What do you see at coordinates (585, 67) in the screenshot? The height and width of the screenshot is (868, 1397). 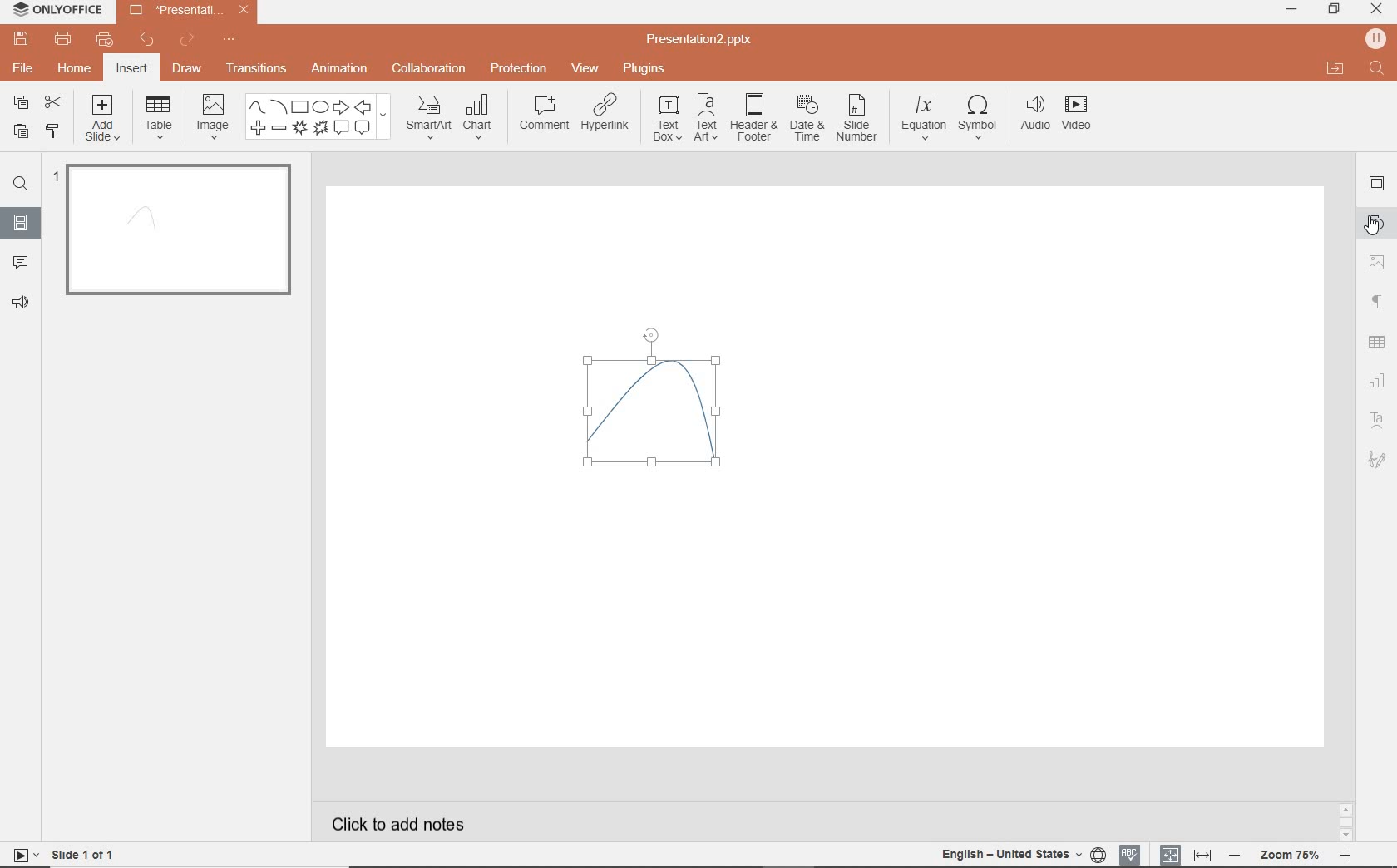 I see `VIEW` at bounding box center [585, 67].